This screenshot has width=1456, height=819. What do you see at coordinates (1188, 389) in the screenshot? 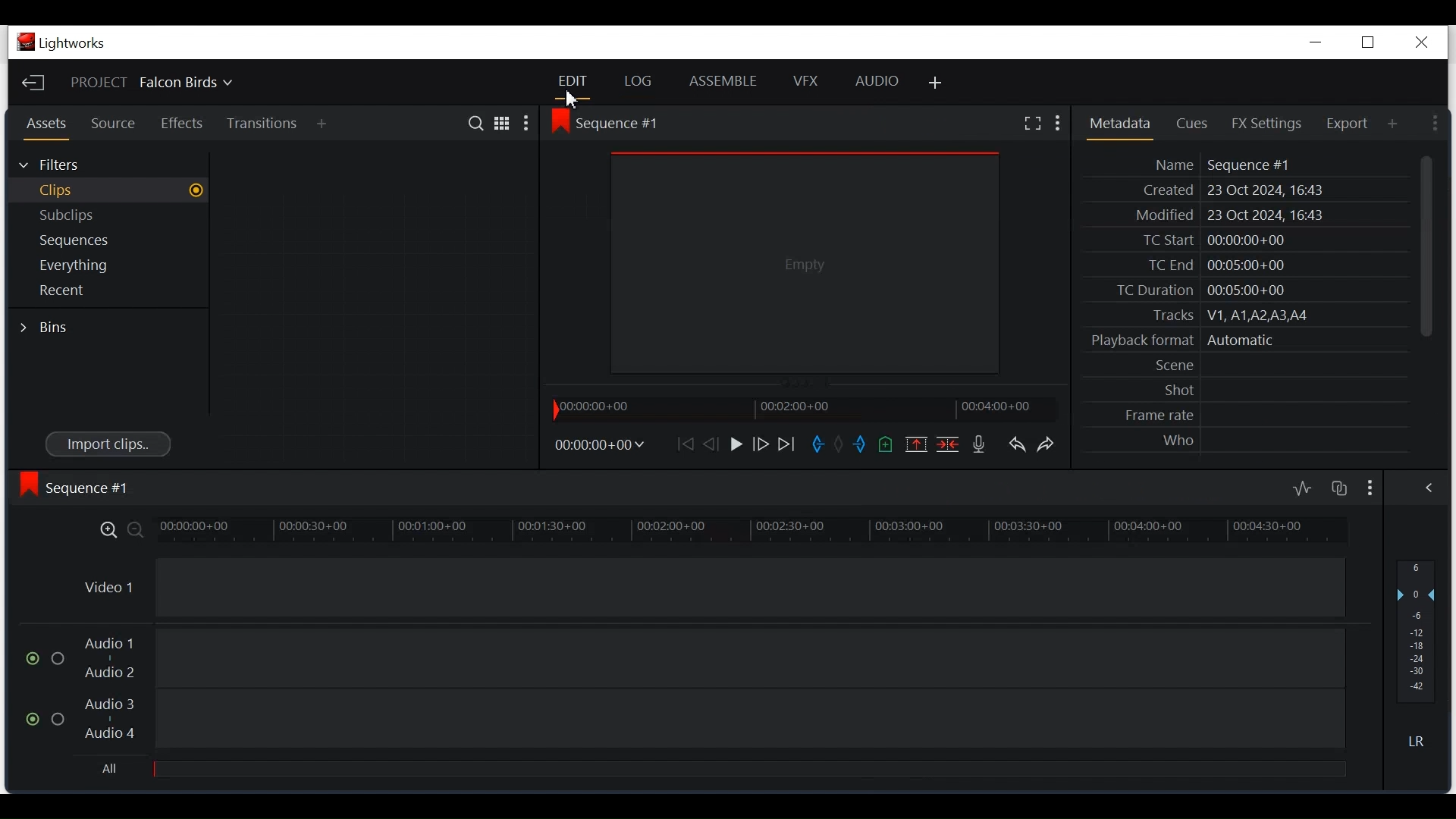
I see `Shot` at bounding box center [1188, 389].